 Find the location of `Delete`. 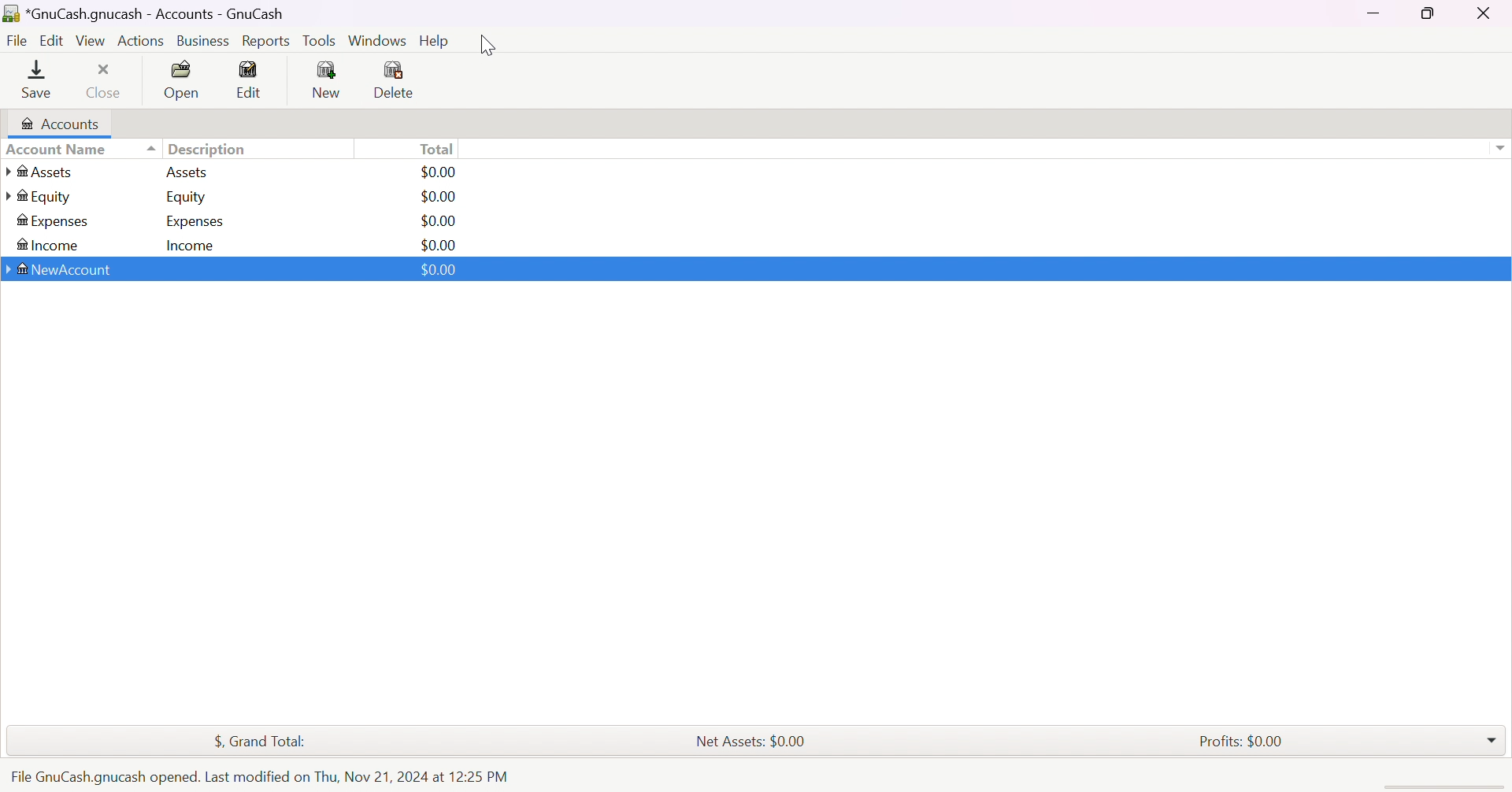

Delete is located at coordinates (395, 81).